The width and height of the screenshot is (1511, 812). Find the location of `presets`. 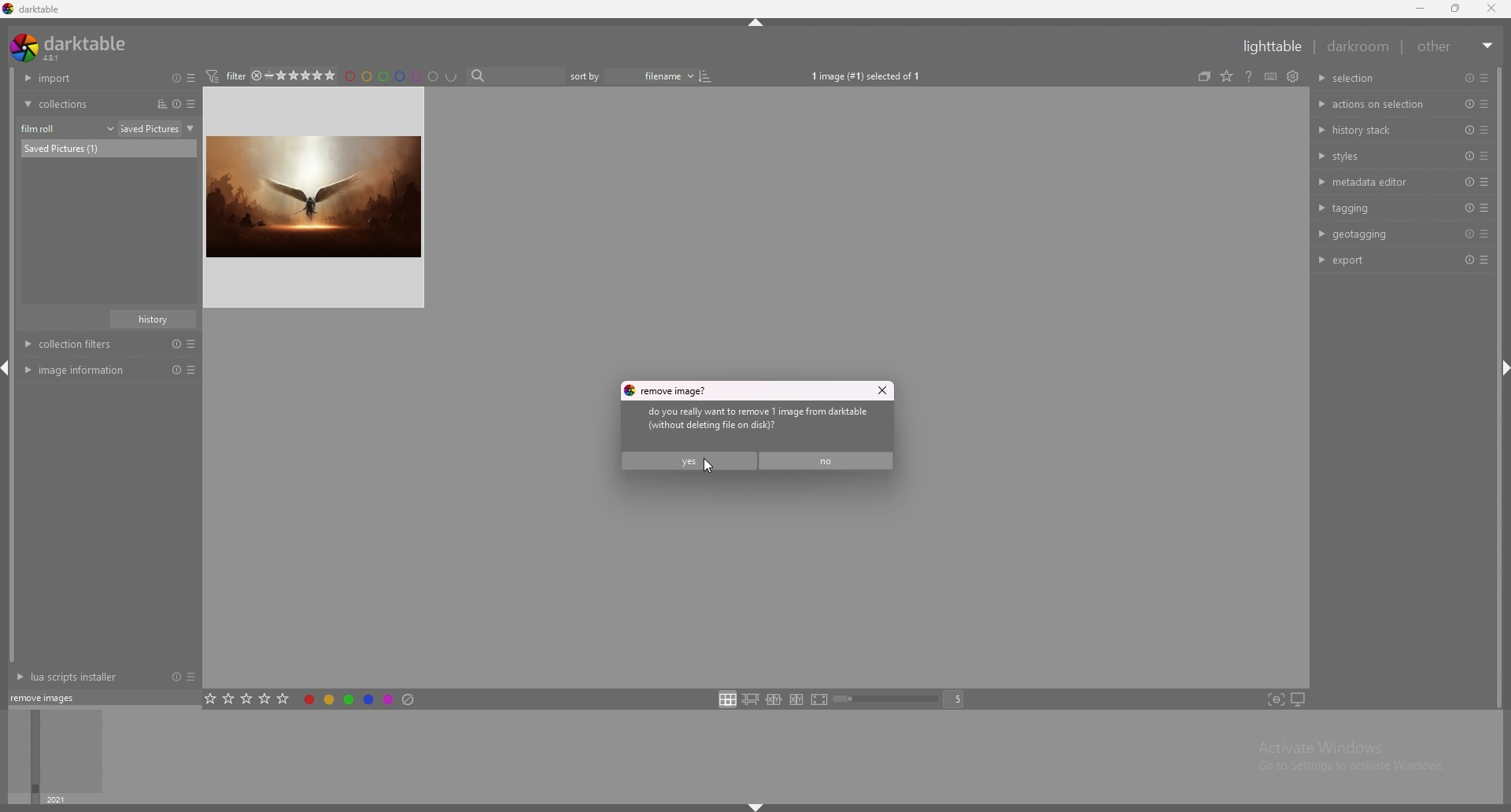

presets is located at coordinates (1484, 155).